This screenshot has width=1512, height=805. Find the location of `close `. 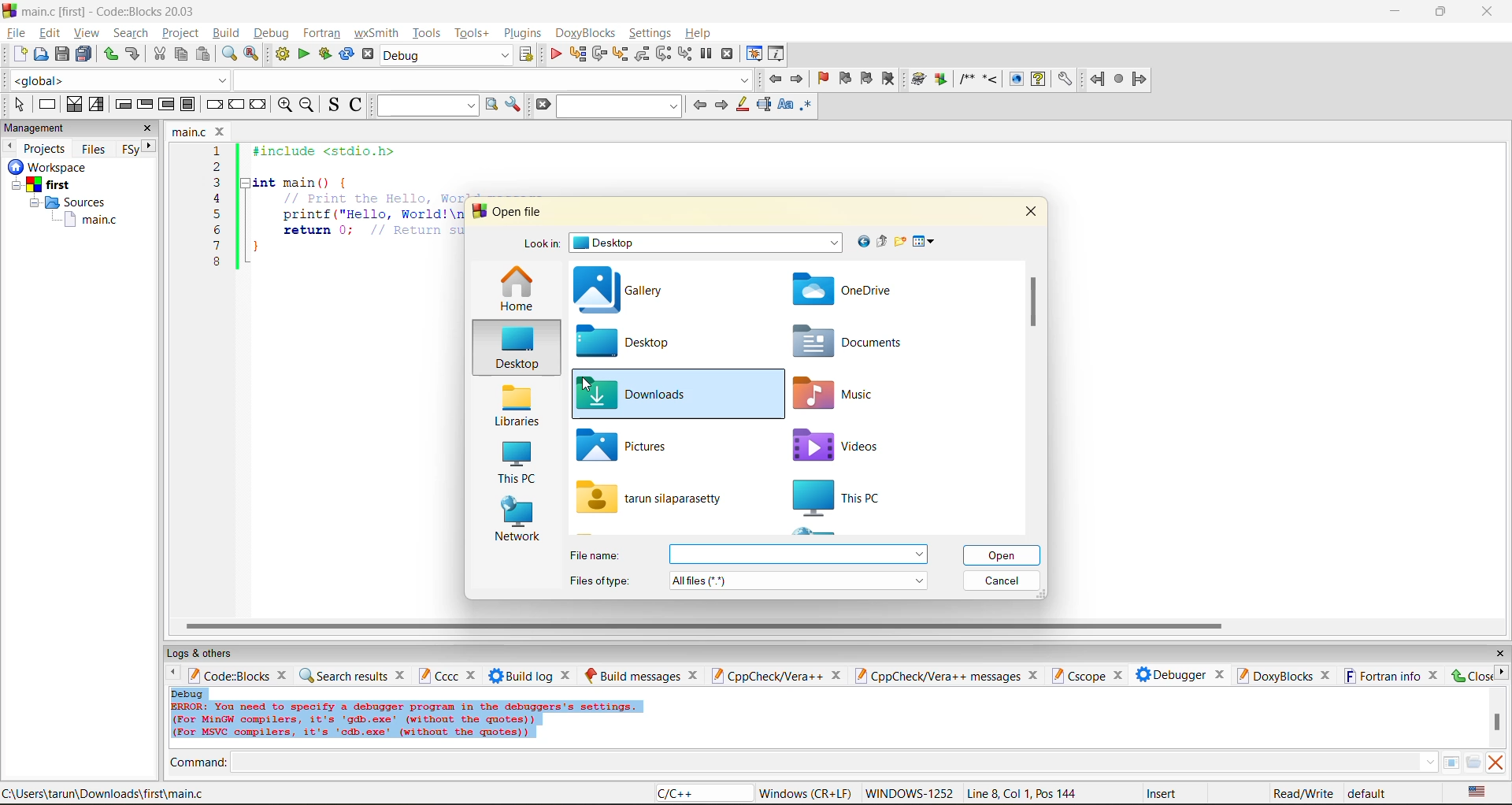

close  is located at coordinates (1489, 12).